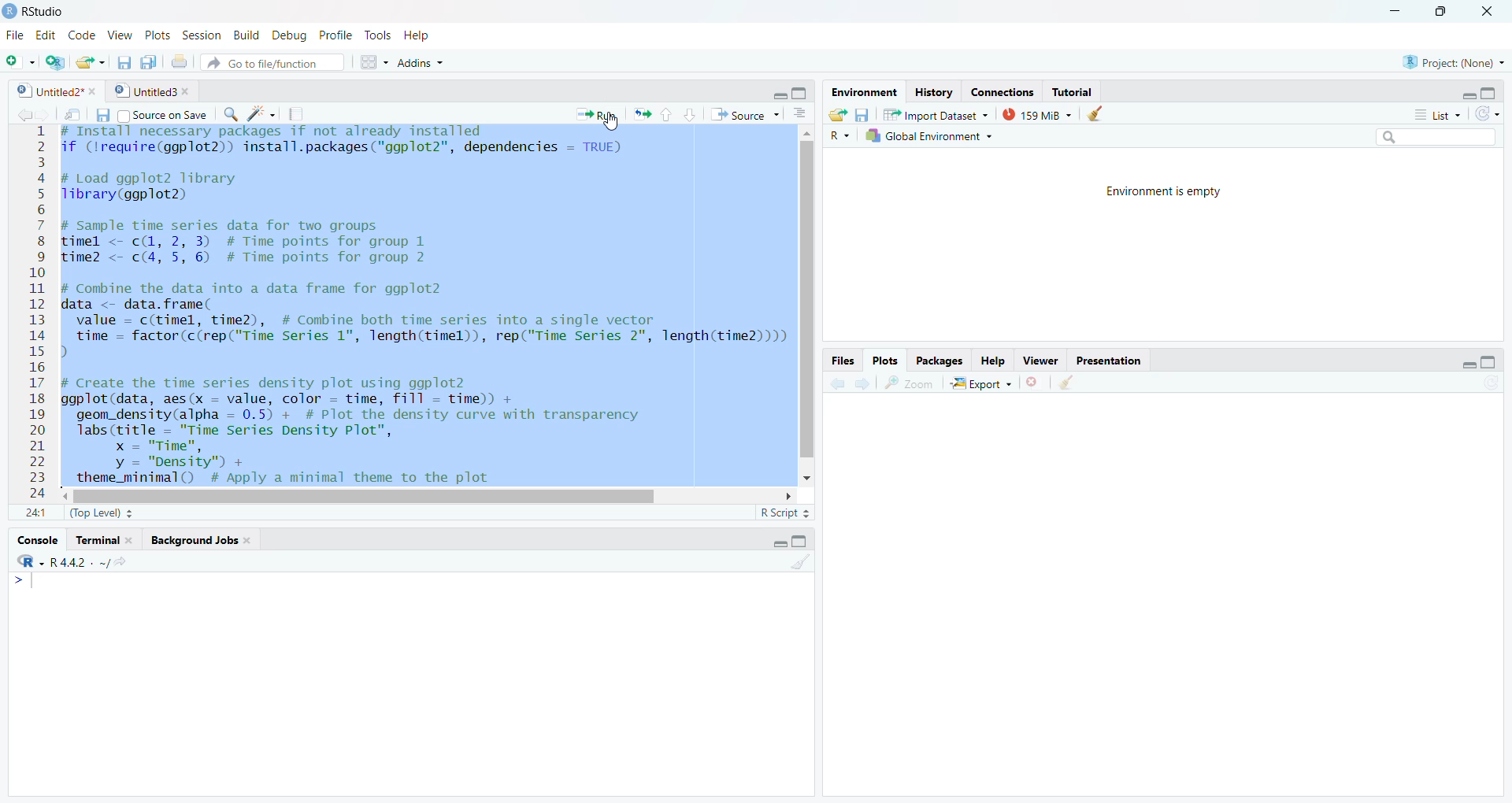 The width and height of the screenshot is (1512, 803). Describe the element at coordinates (1093, 113) in the screenshot. I see `clean` at that location.